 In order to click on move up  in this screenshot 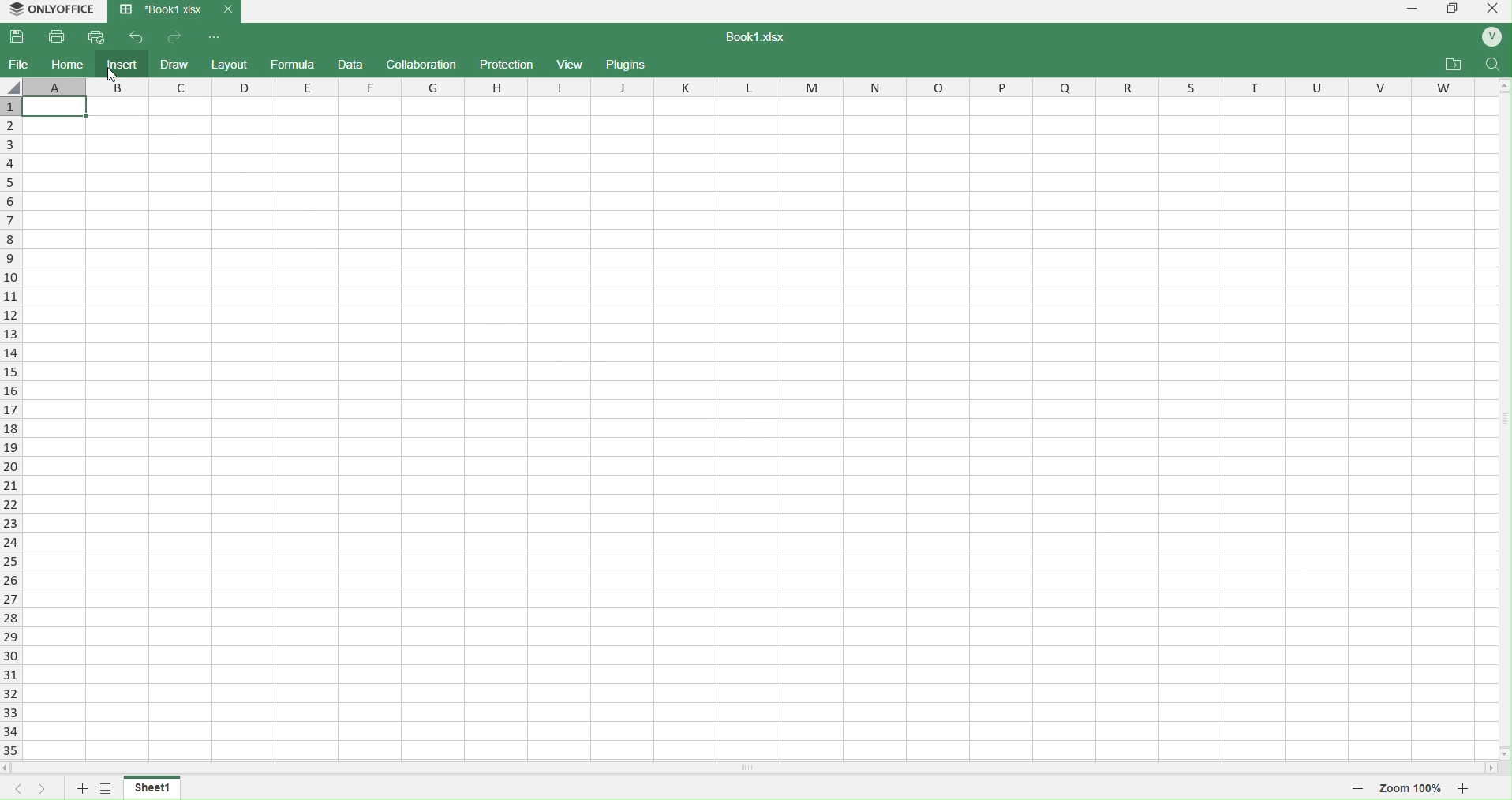, I will do `click(1503, 86)`.